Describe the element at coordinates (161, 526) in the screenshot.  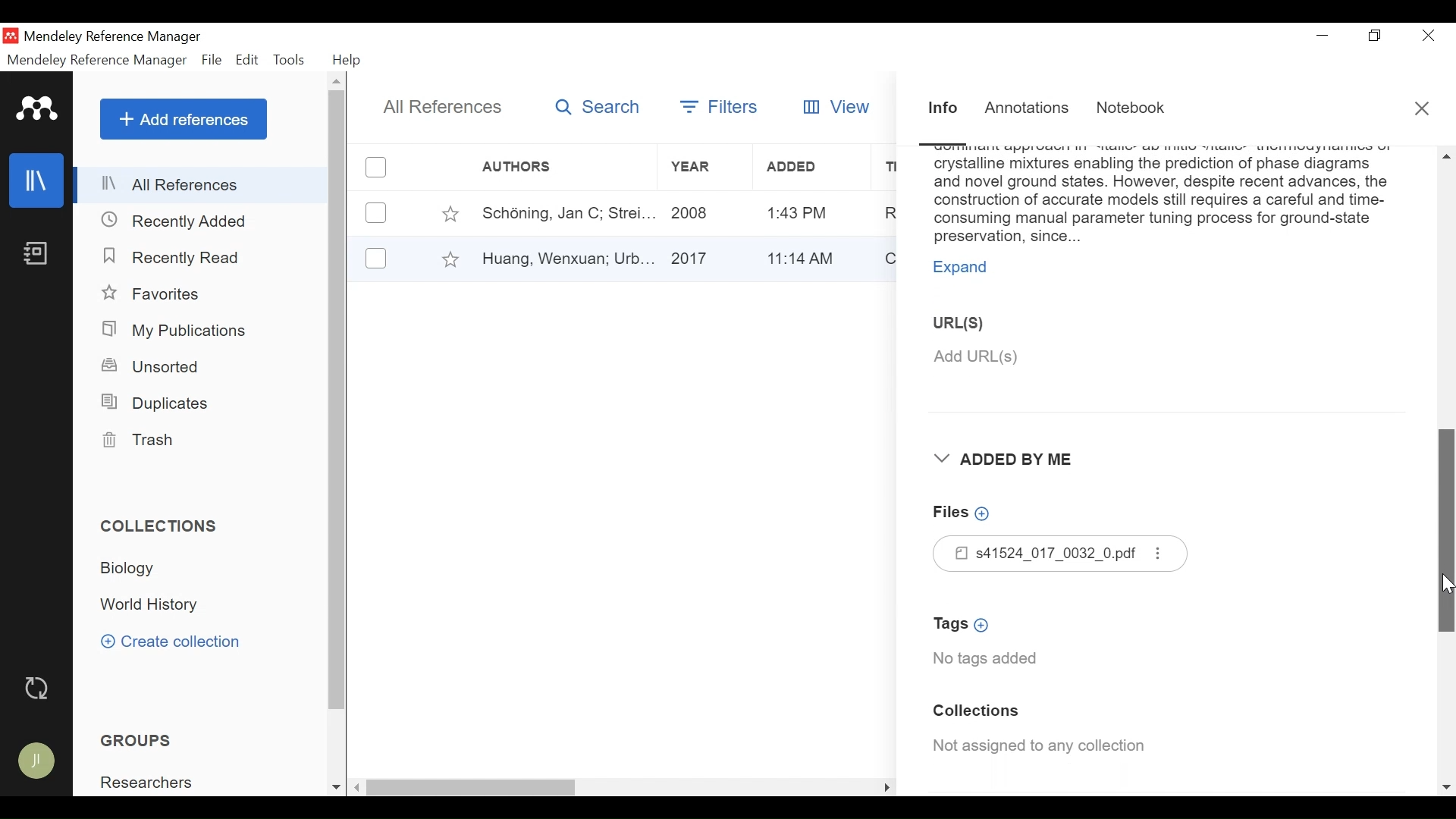
I see `Collections` at that location.